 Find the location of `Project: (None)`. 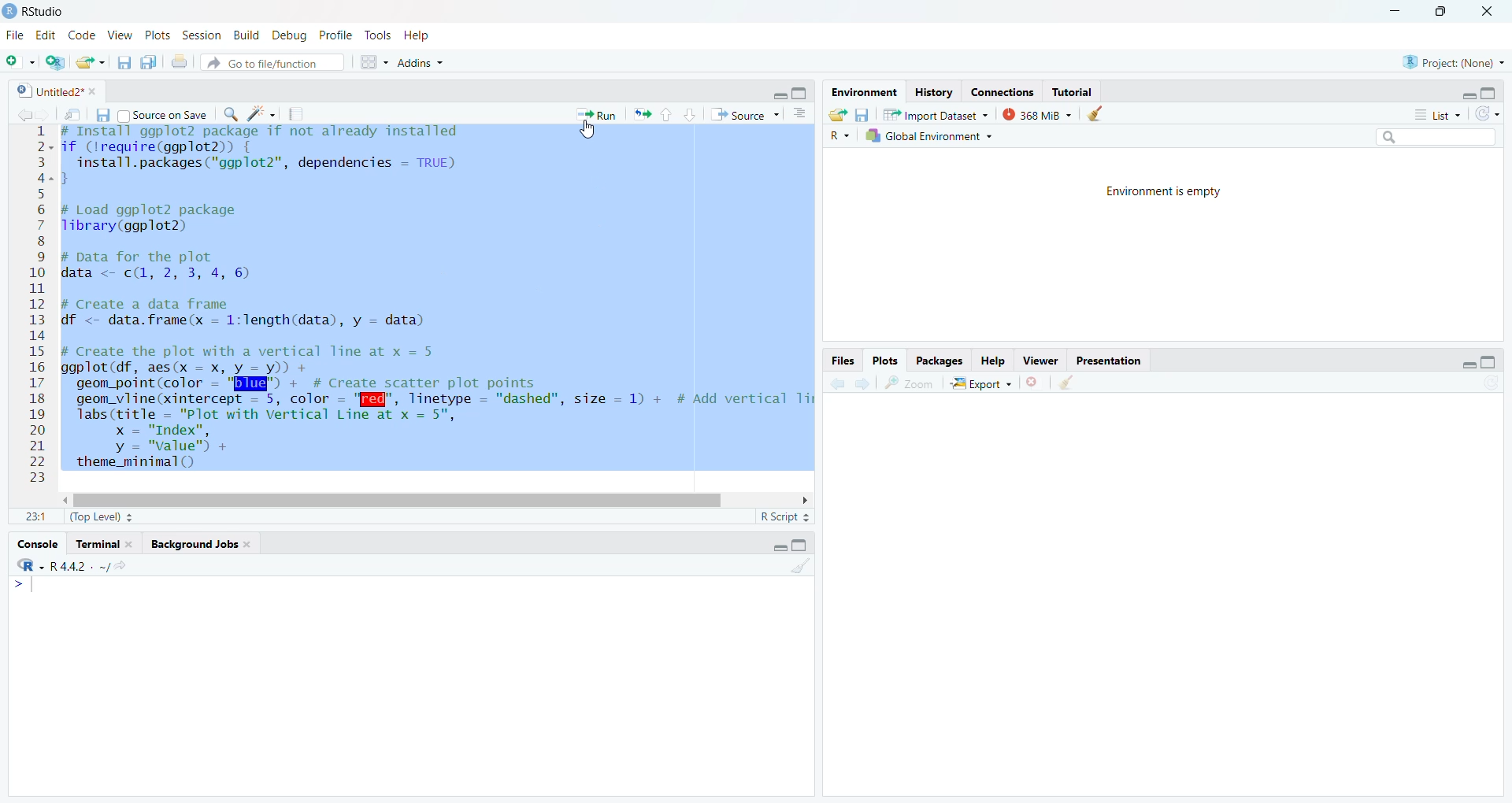

Project: (None) is located at coordinates (1449, 60).